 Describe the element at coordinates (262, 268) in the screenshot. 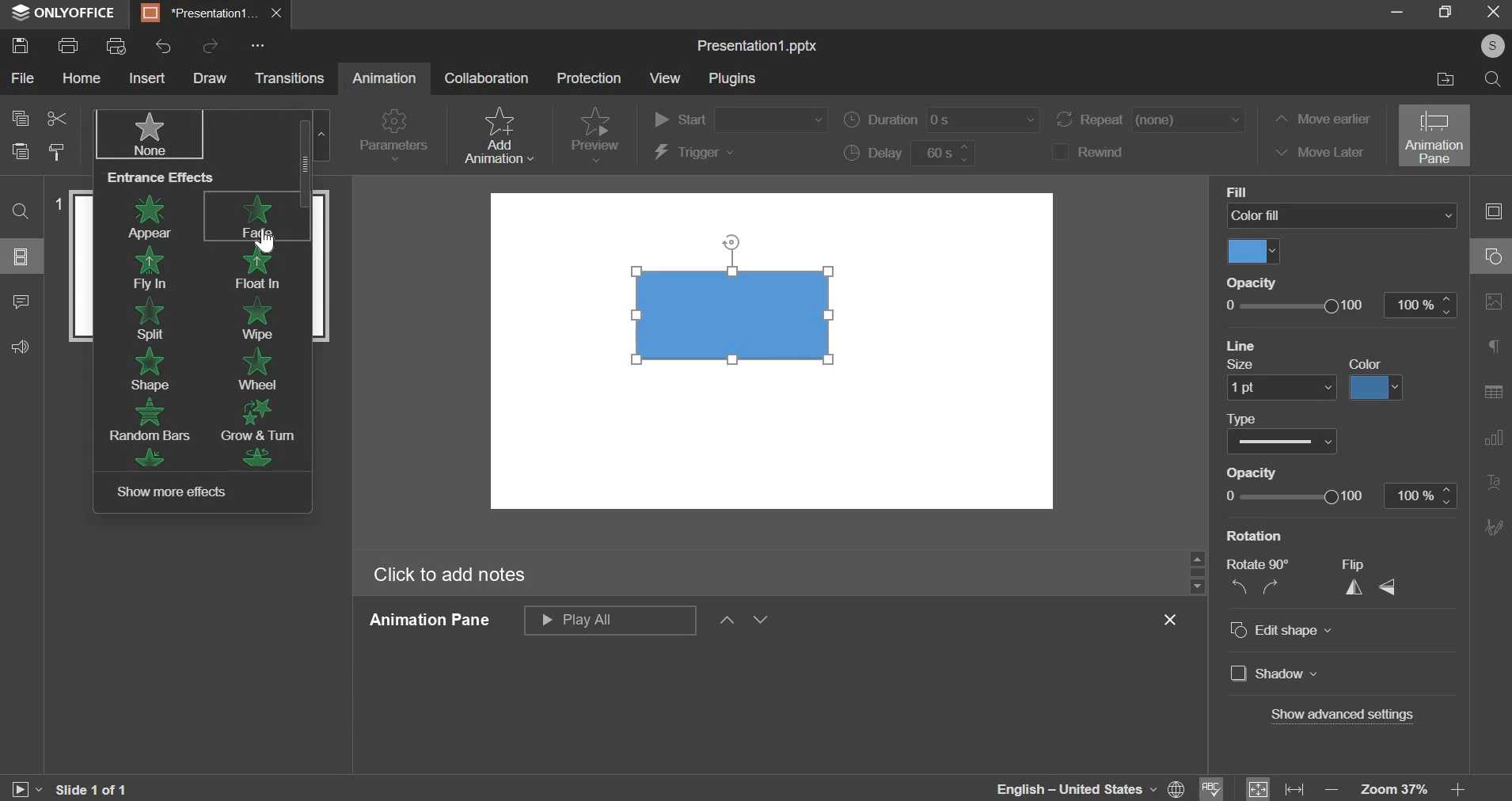

I see `float in` at that location.